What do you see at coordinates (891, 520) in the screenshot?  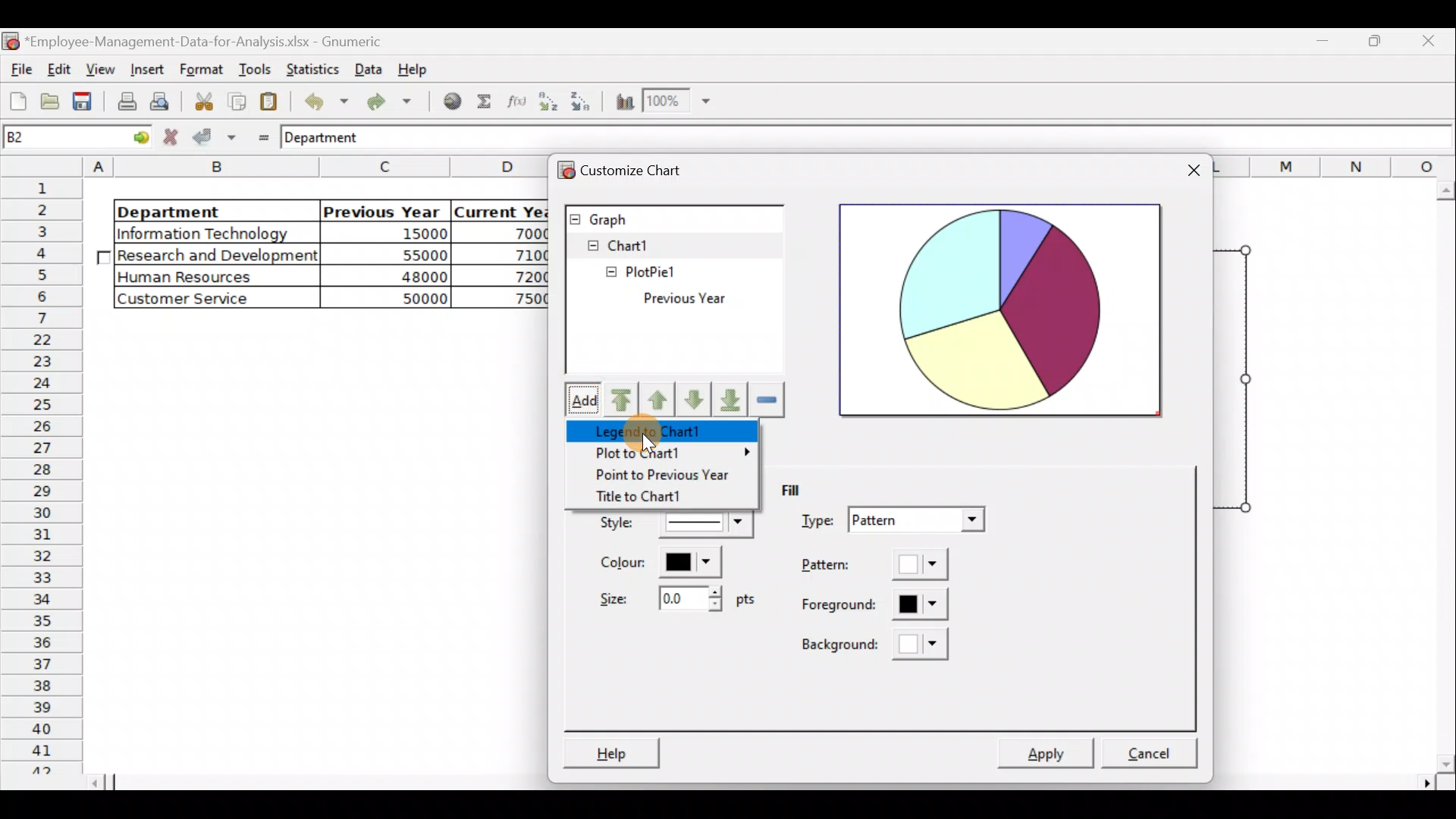 I see `Type` at bounding box center [891, 520].